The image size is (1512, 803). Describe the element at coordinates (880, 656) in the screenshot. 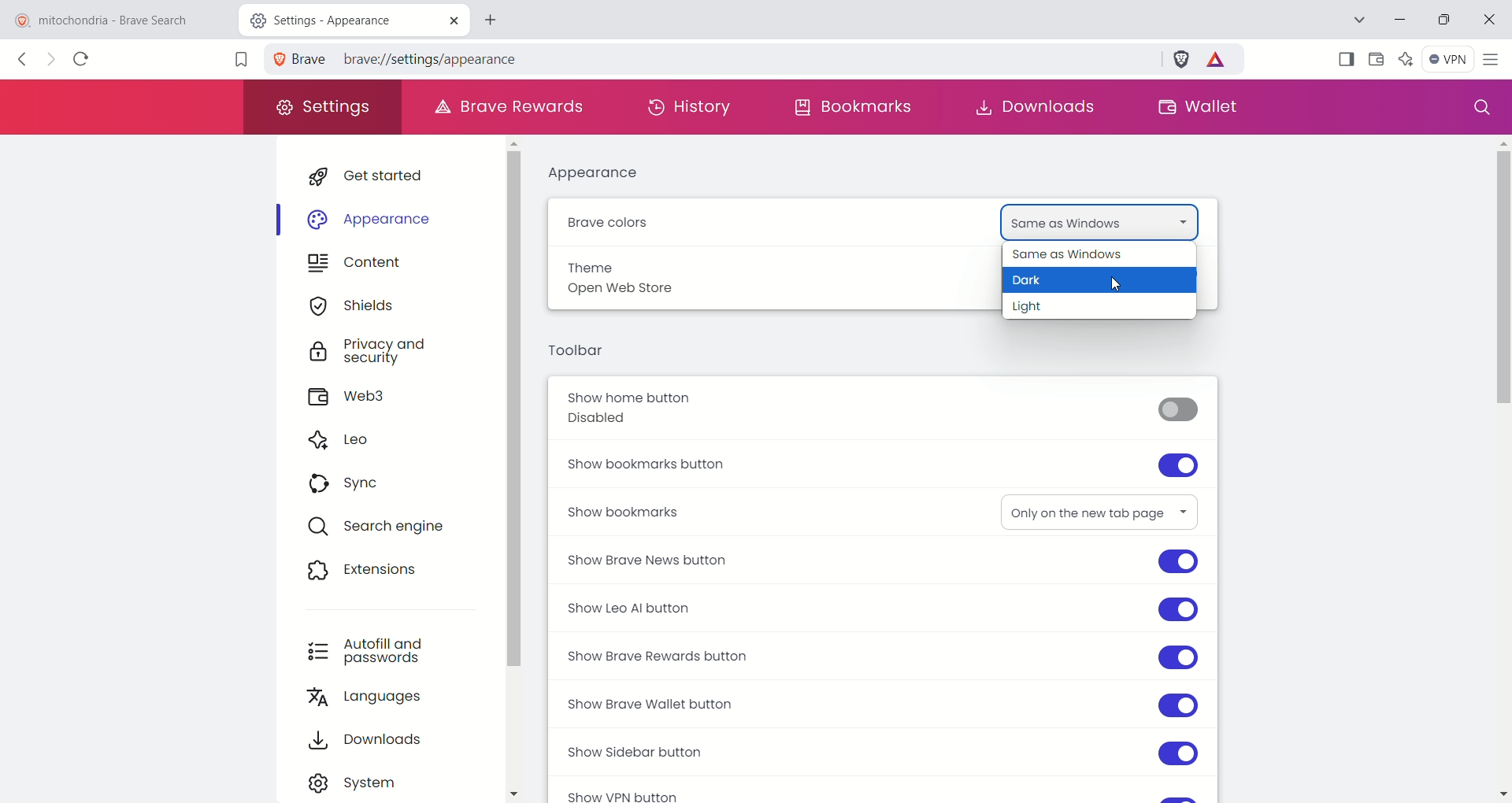

I see `show brave rewards button` at that location.